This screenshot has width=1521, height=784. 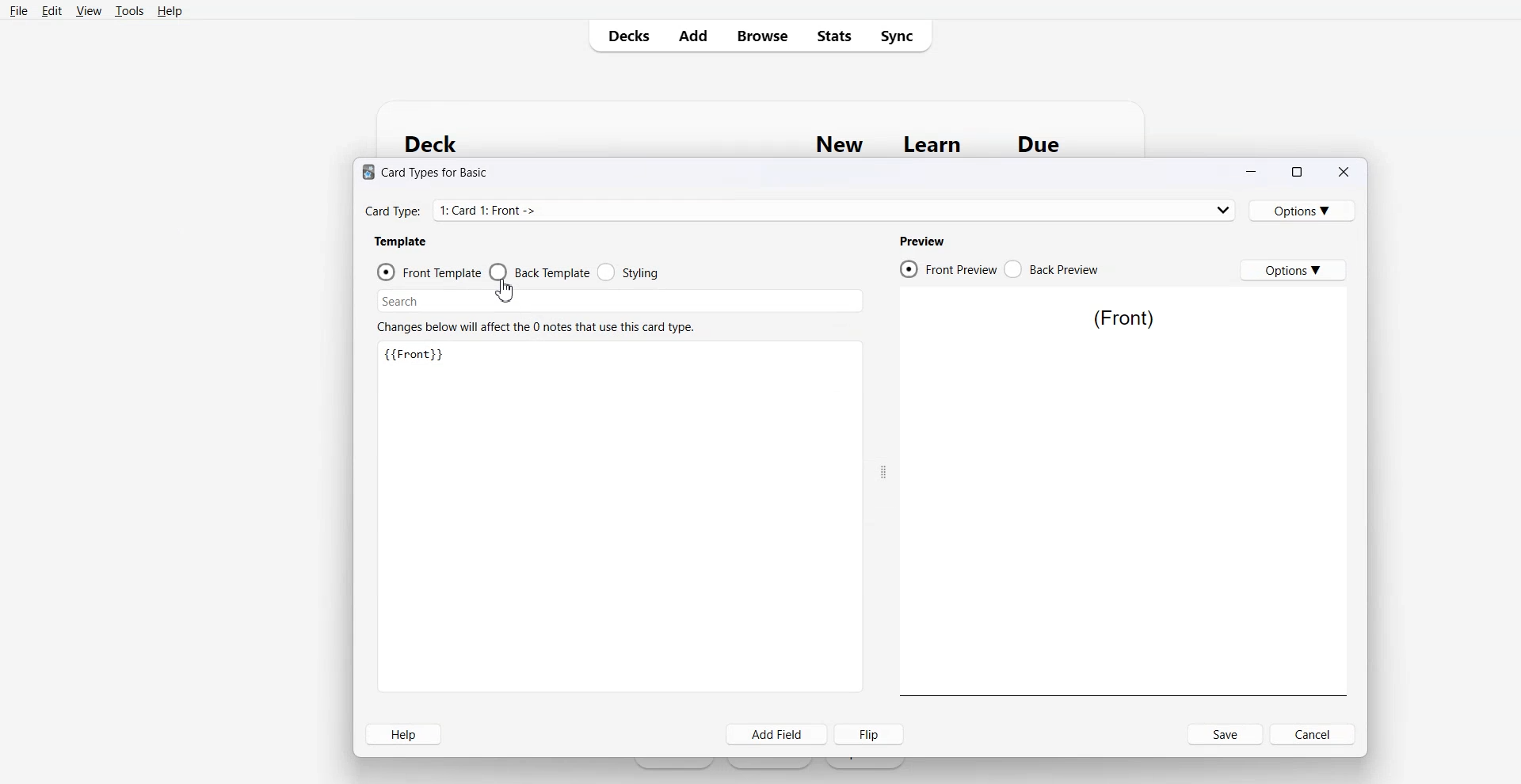 What do you see at coordinates (51, 10) in the screenshot?
I see `Edit` at bounding box center [51, 10].